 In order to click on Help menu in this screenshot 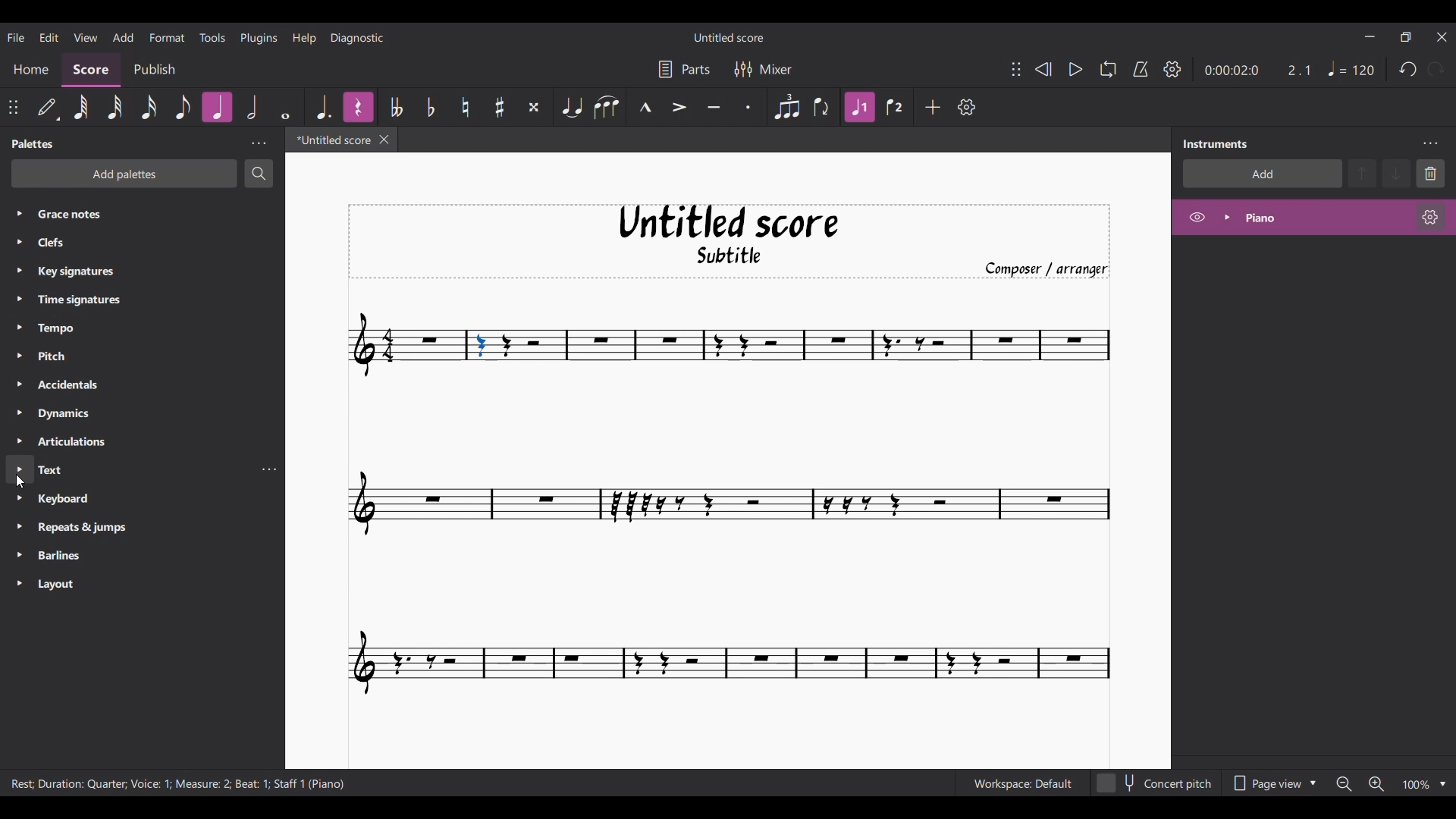, I will do `click(305, 37)`.